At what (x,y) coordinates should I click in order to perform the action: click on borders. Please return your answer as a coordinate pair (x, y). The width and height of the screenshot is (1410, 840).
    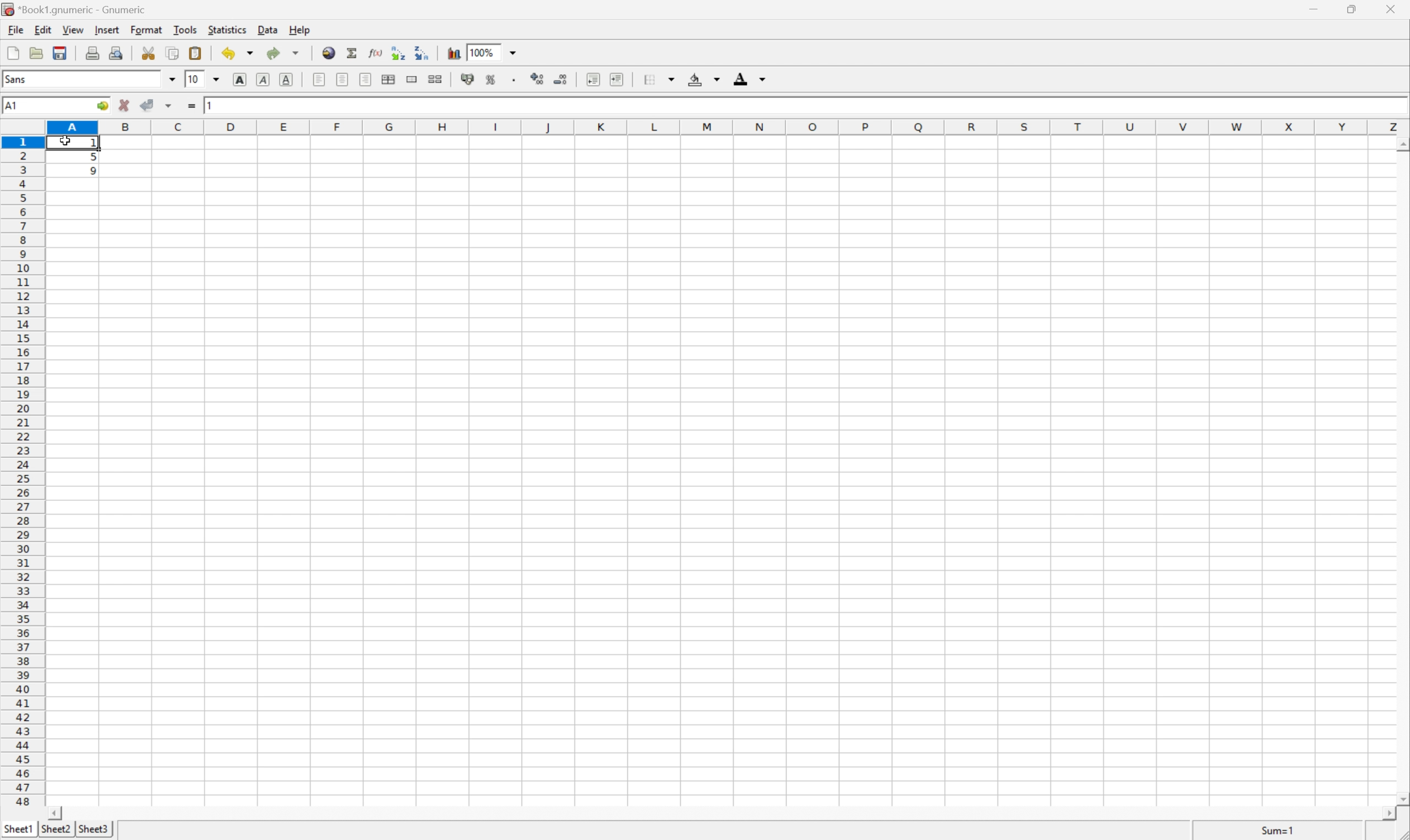
    Looking at the image, I should click on (657, 79).